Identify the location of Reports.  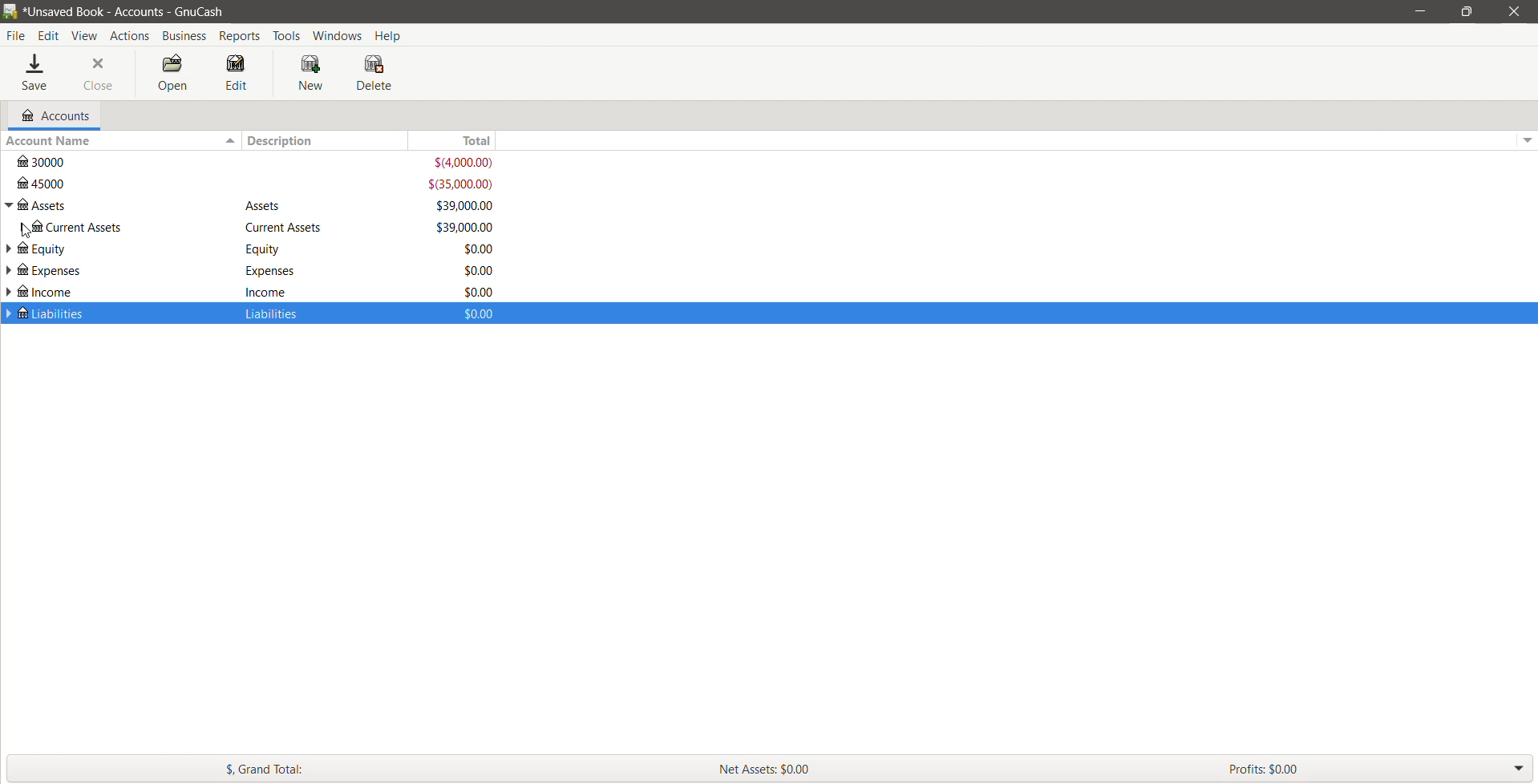
(242, 36).